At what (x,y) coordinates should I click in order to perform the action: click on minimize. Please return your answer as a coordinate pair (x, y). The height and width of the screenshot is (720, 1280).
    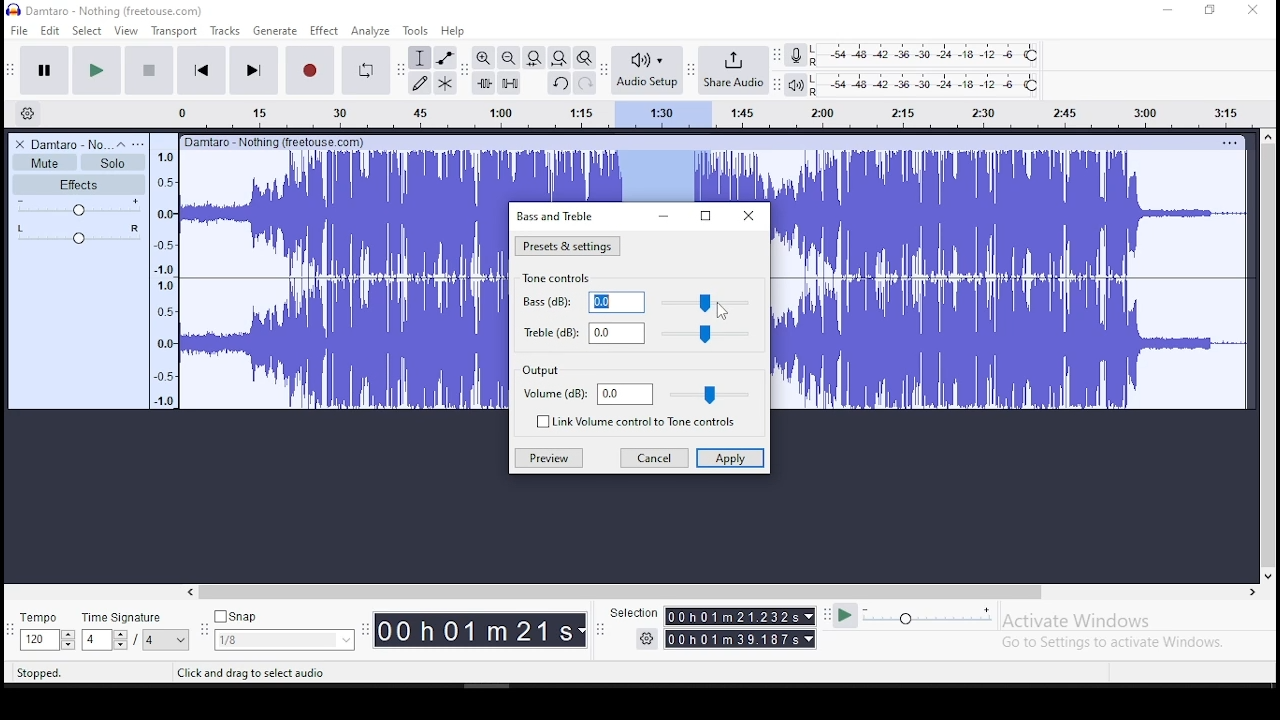
    Looking at the image, I should click on (1169, 11).